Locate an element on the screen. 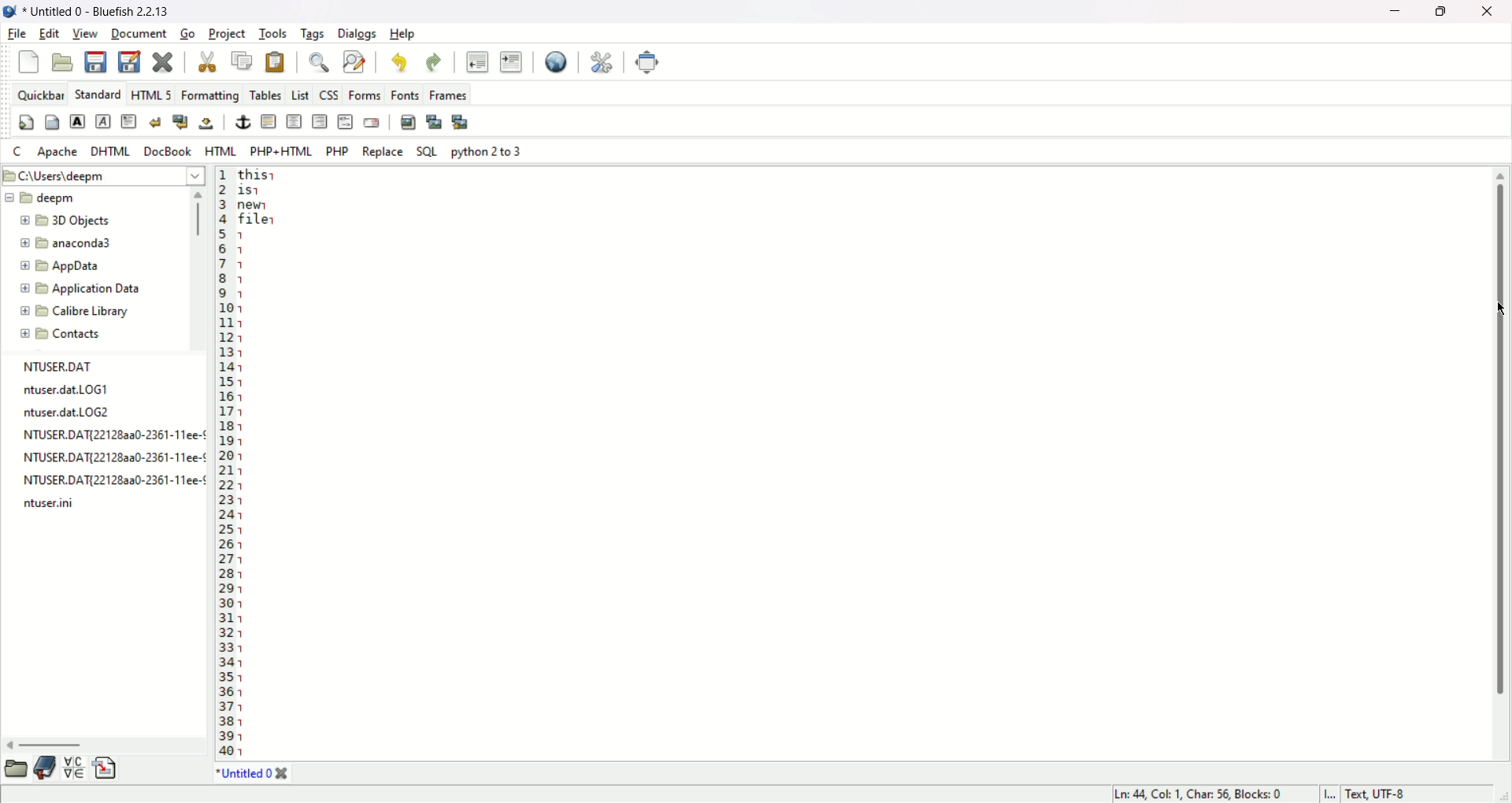 This screenshot has width=1512, height=803. Replace is located at coordinates (384, 152).